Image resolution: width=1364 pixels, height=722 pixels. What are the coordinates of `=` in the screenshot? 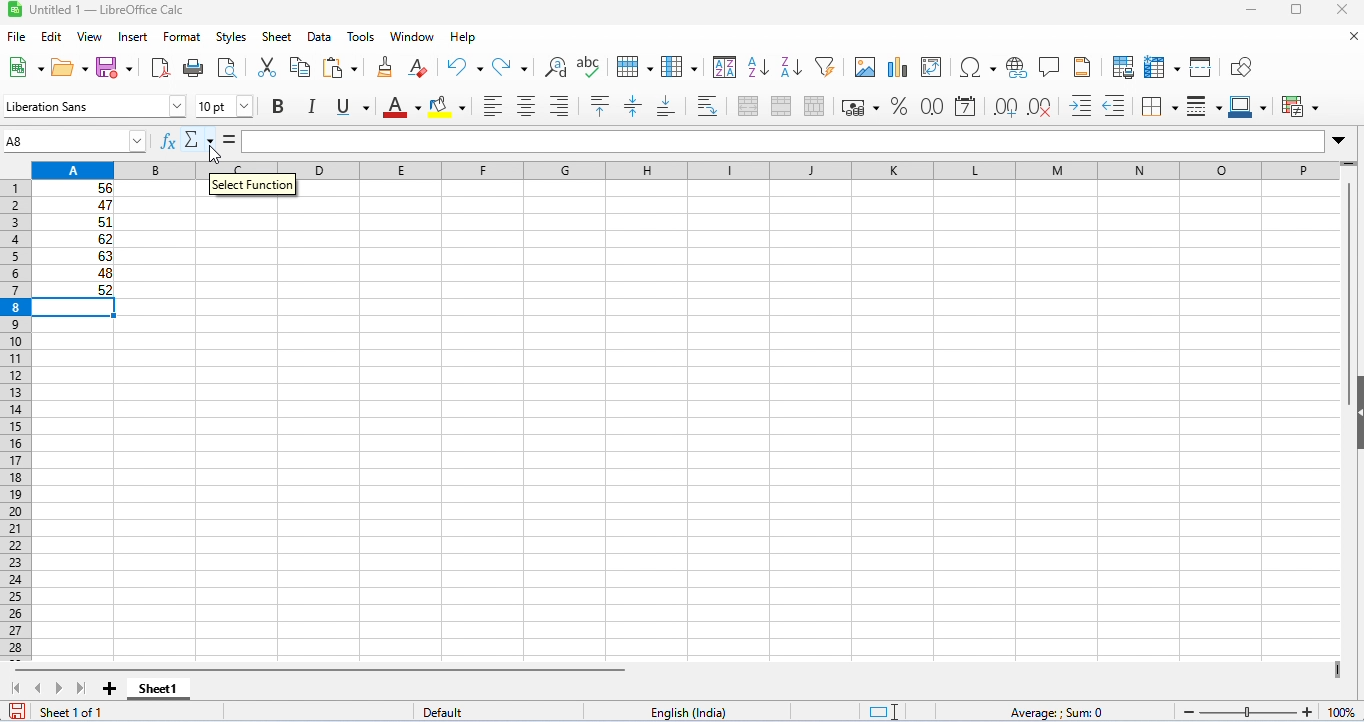 It's located at (232, 138).